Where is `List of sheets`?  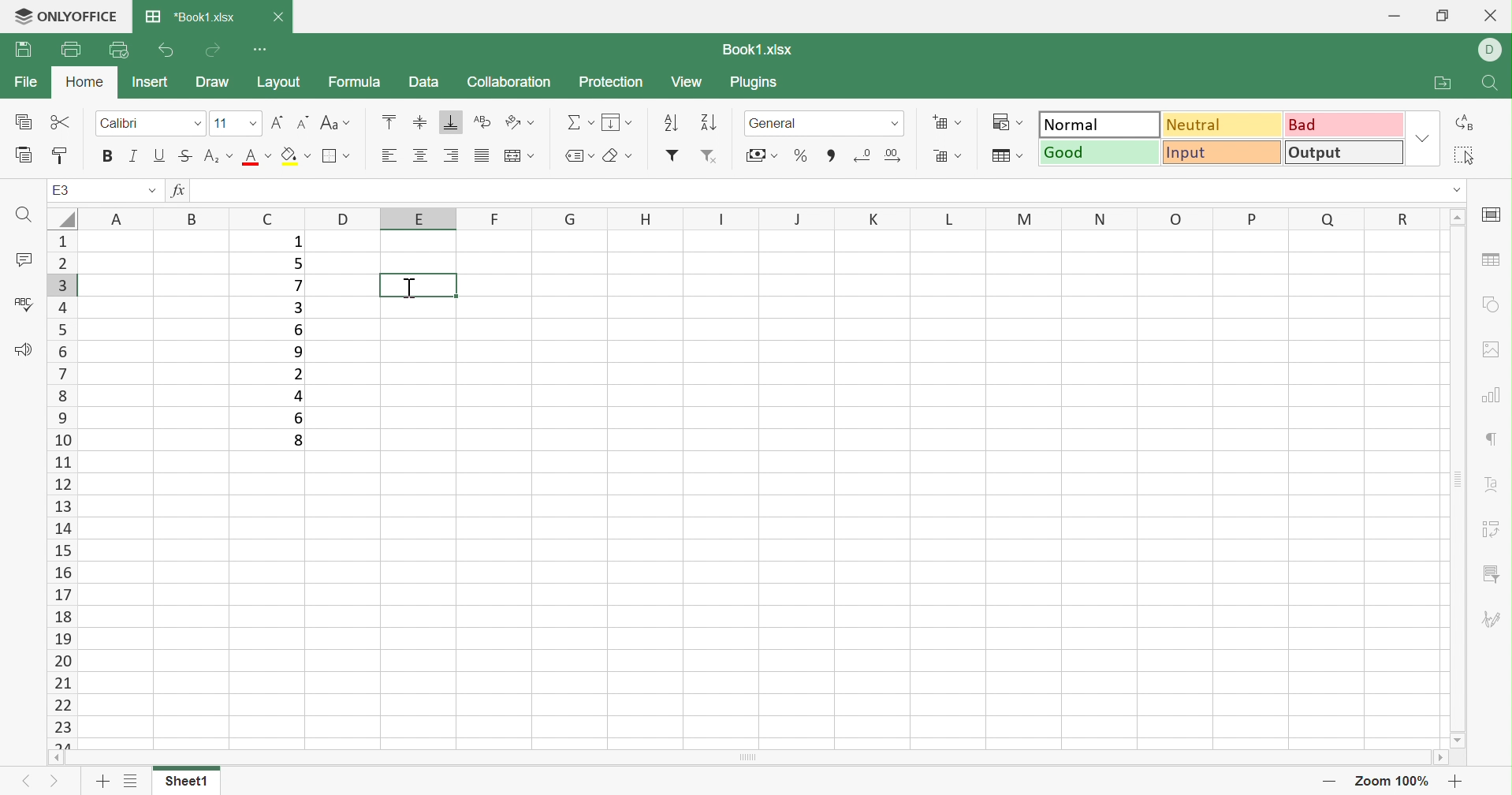 List of sheets is located at coordinates (132, 782).